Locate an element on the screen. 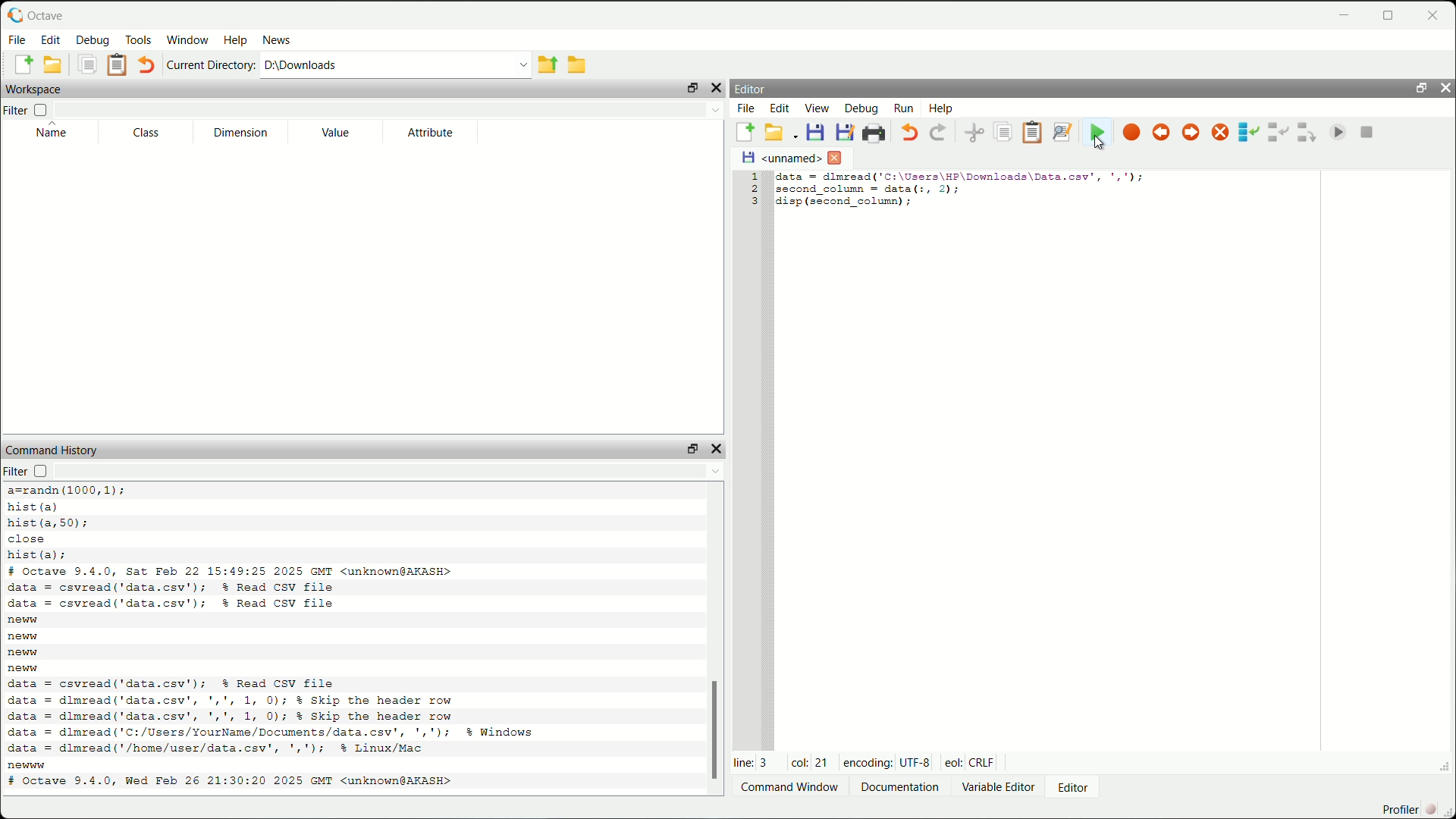  copy is located at coordinates (89, 67).